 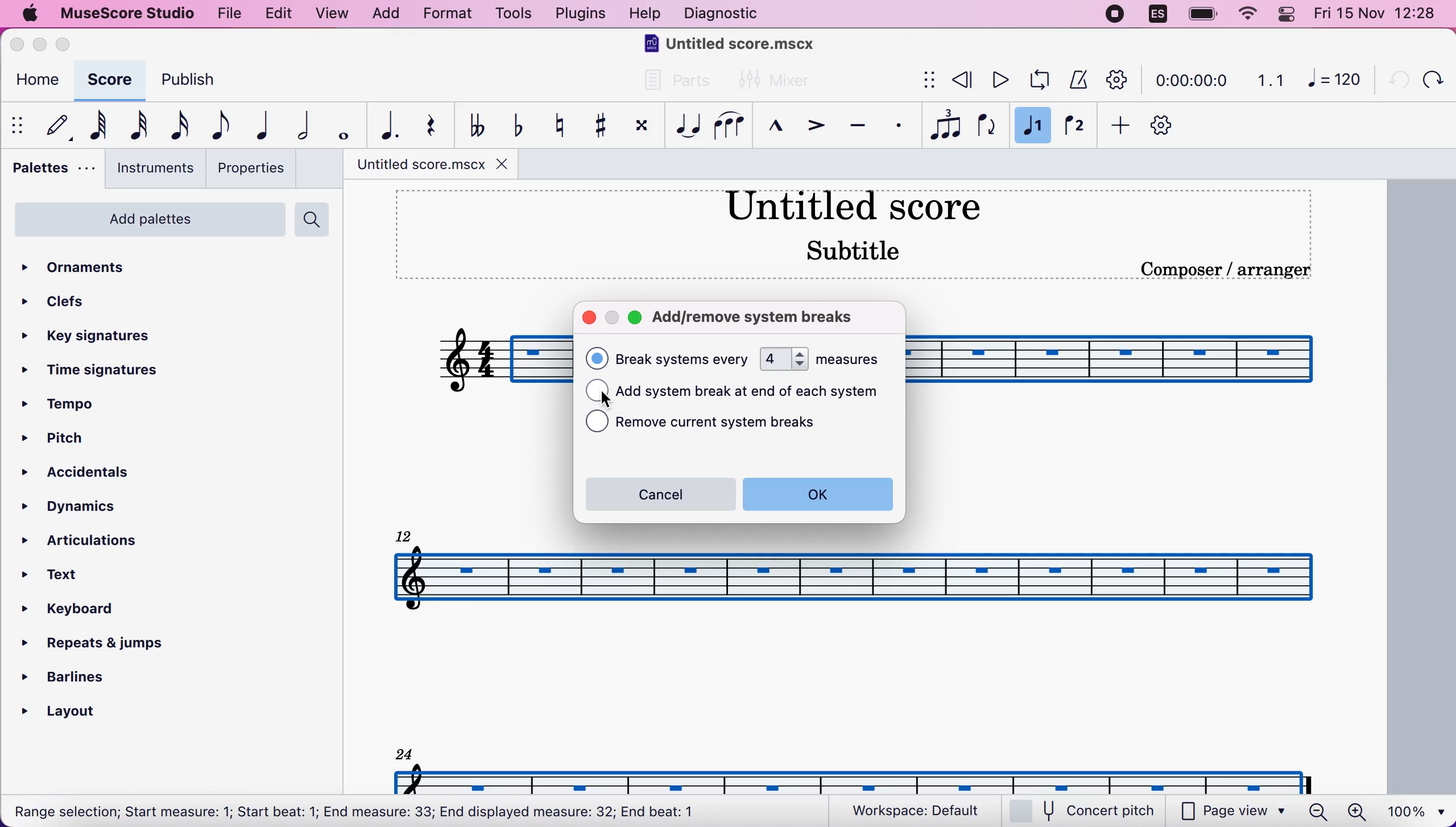 I want to click on zoom out, so click(x=1318, y=811).